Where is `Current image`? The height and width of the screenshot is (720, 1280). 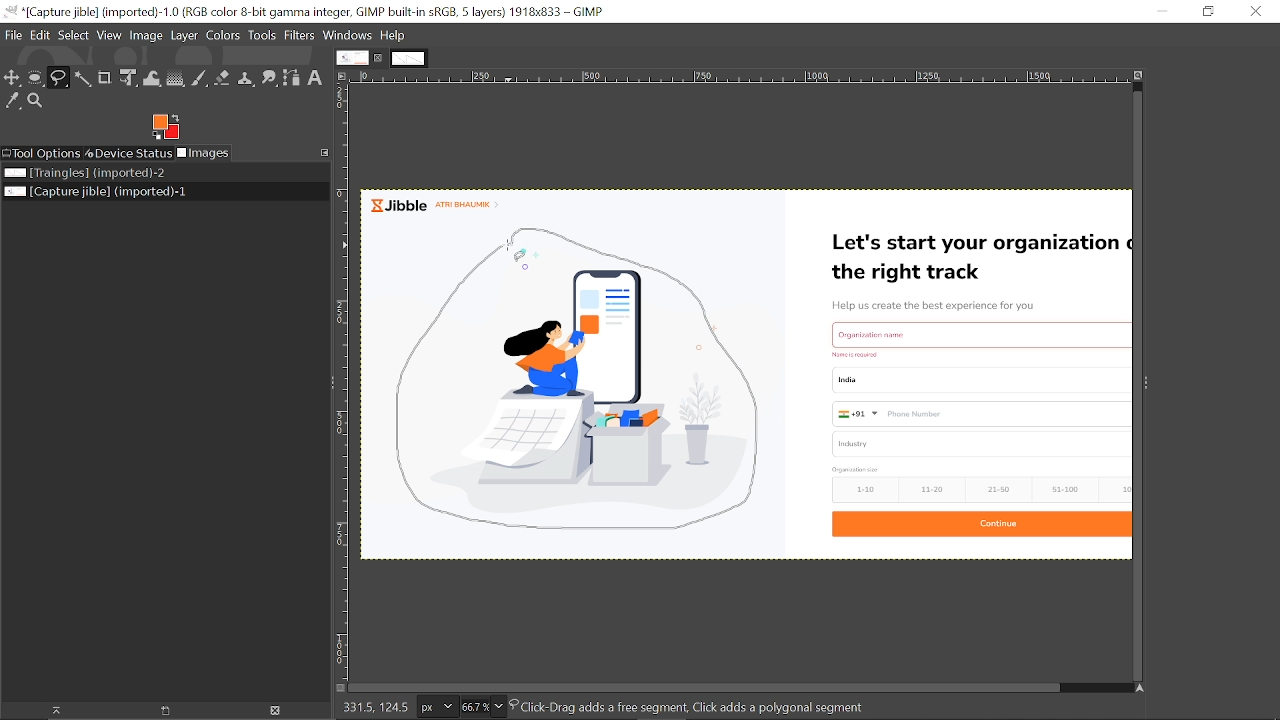 Current image is located at coordinates (749, 379).